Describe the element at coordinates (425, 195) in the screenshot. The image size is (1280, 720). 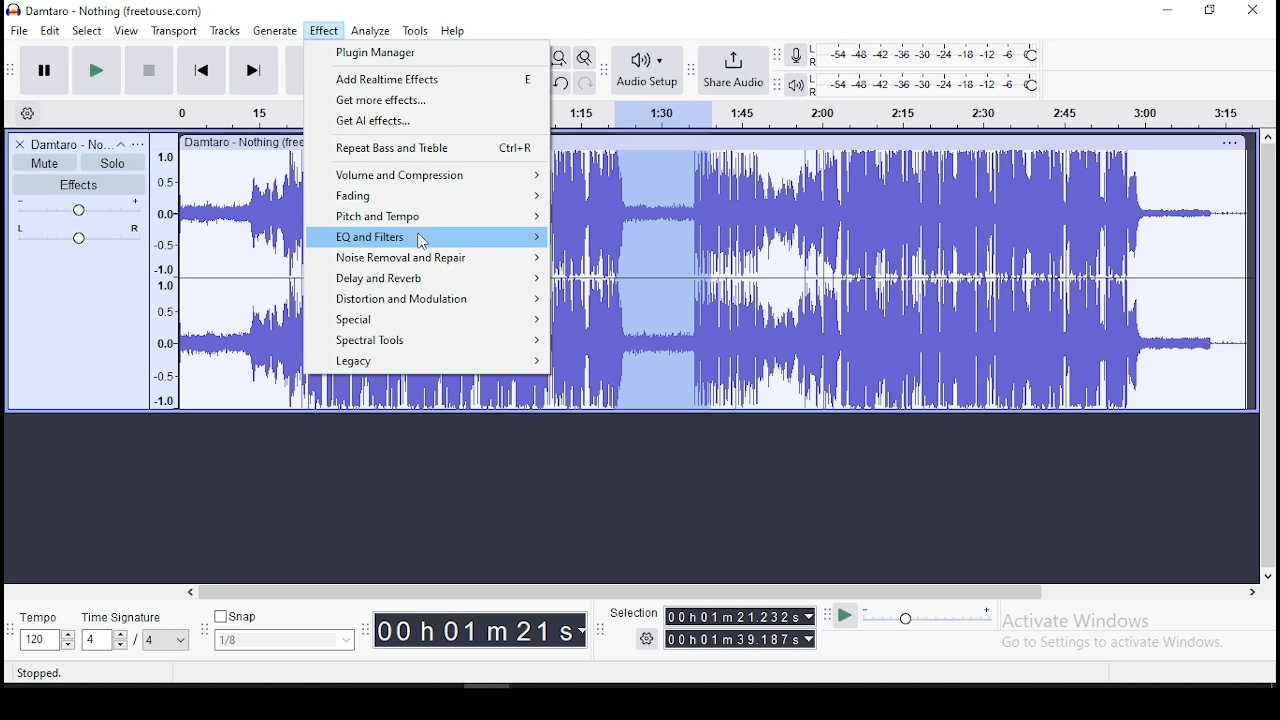
I see `fading` at that location.